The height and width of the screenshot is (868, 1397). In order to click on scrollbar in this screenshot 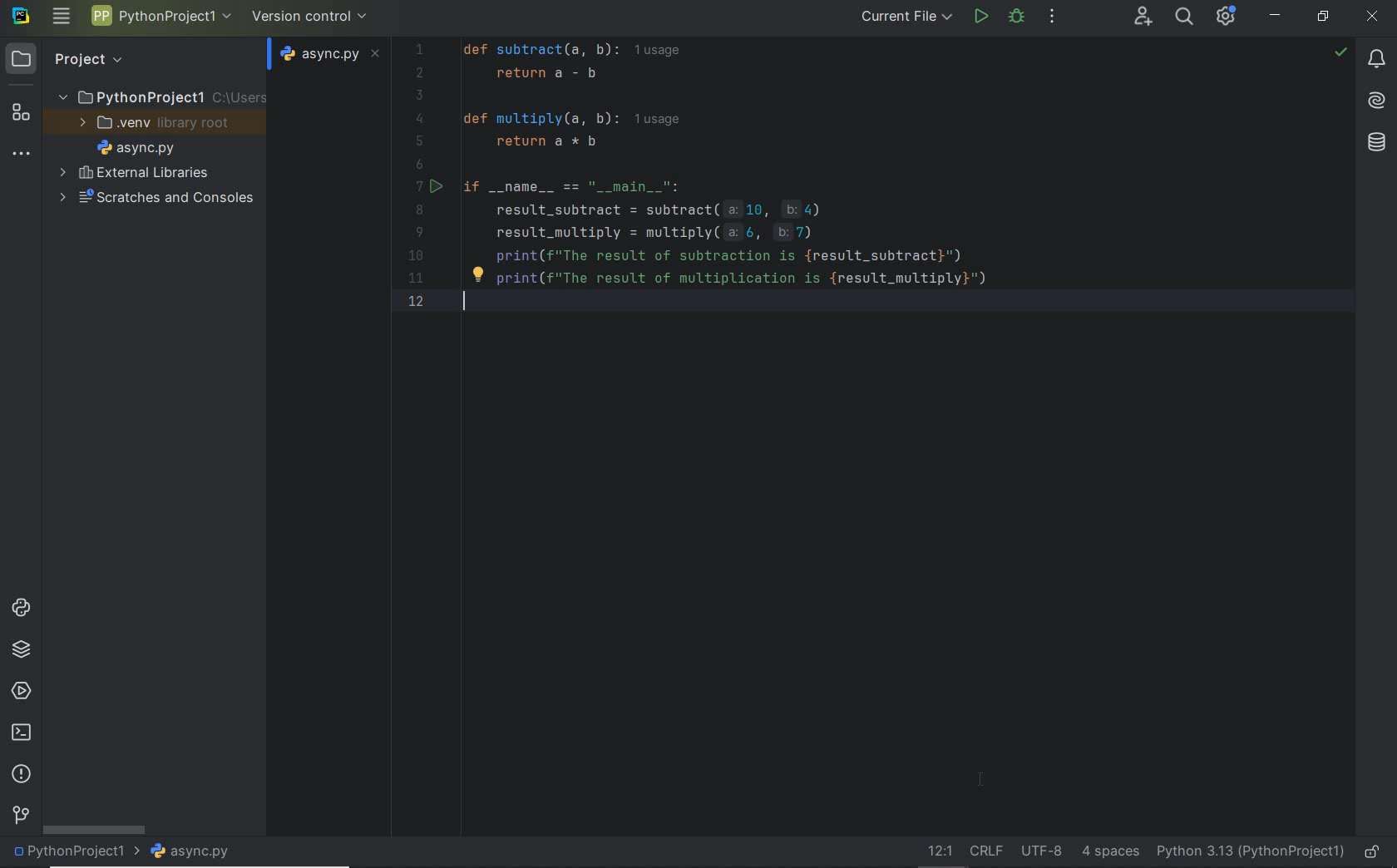, I will do `click(96, 830)`.